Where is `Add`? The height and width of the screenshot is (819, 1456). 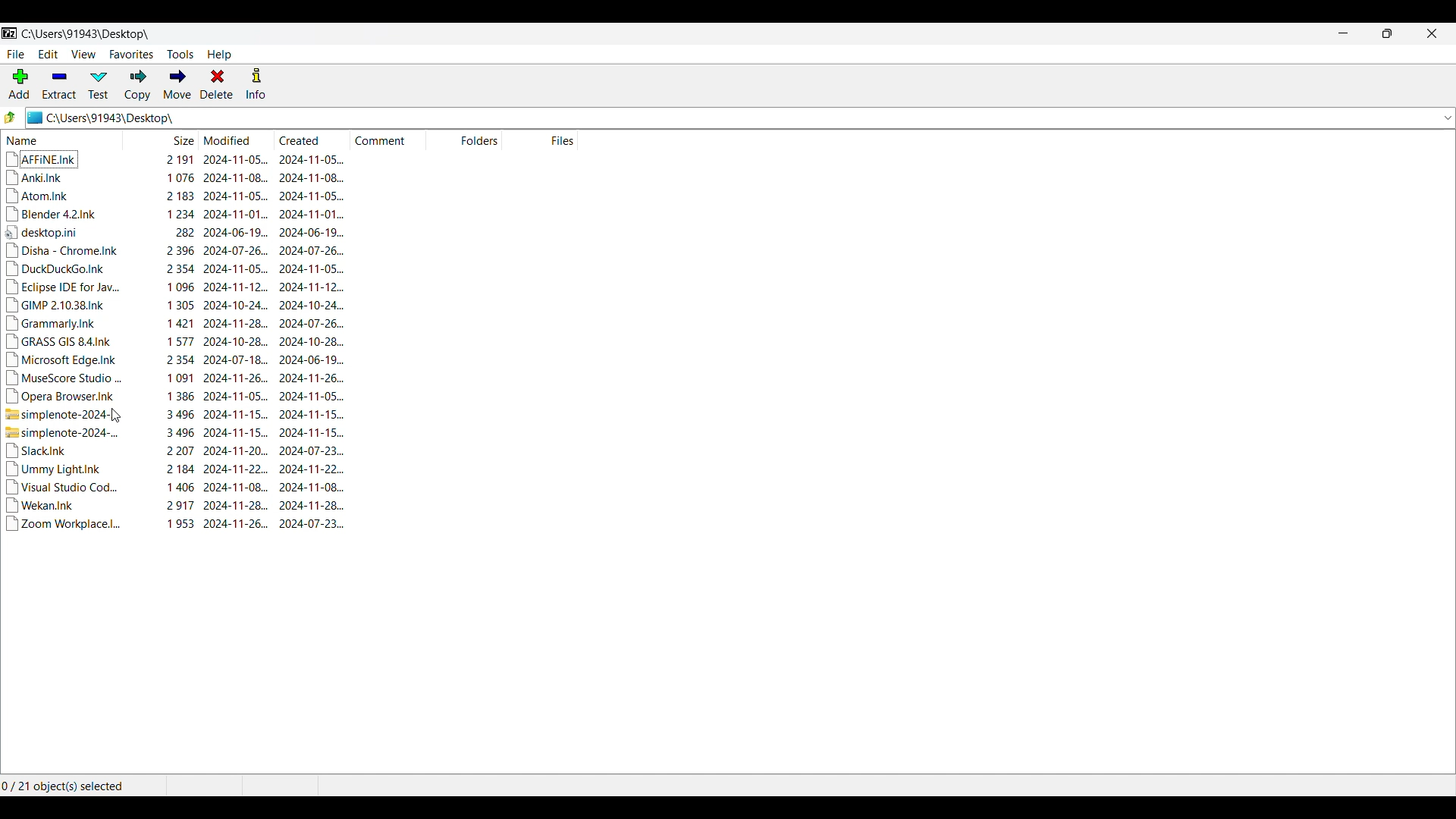 Add is located at coordinates (20, 83).